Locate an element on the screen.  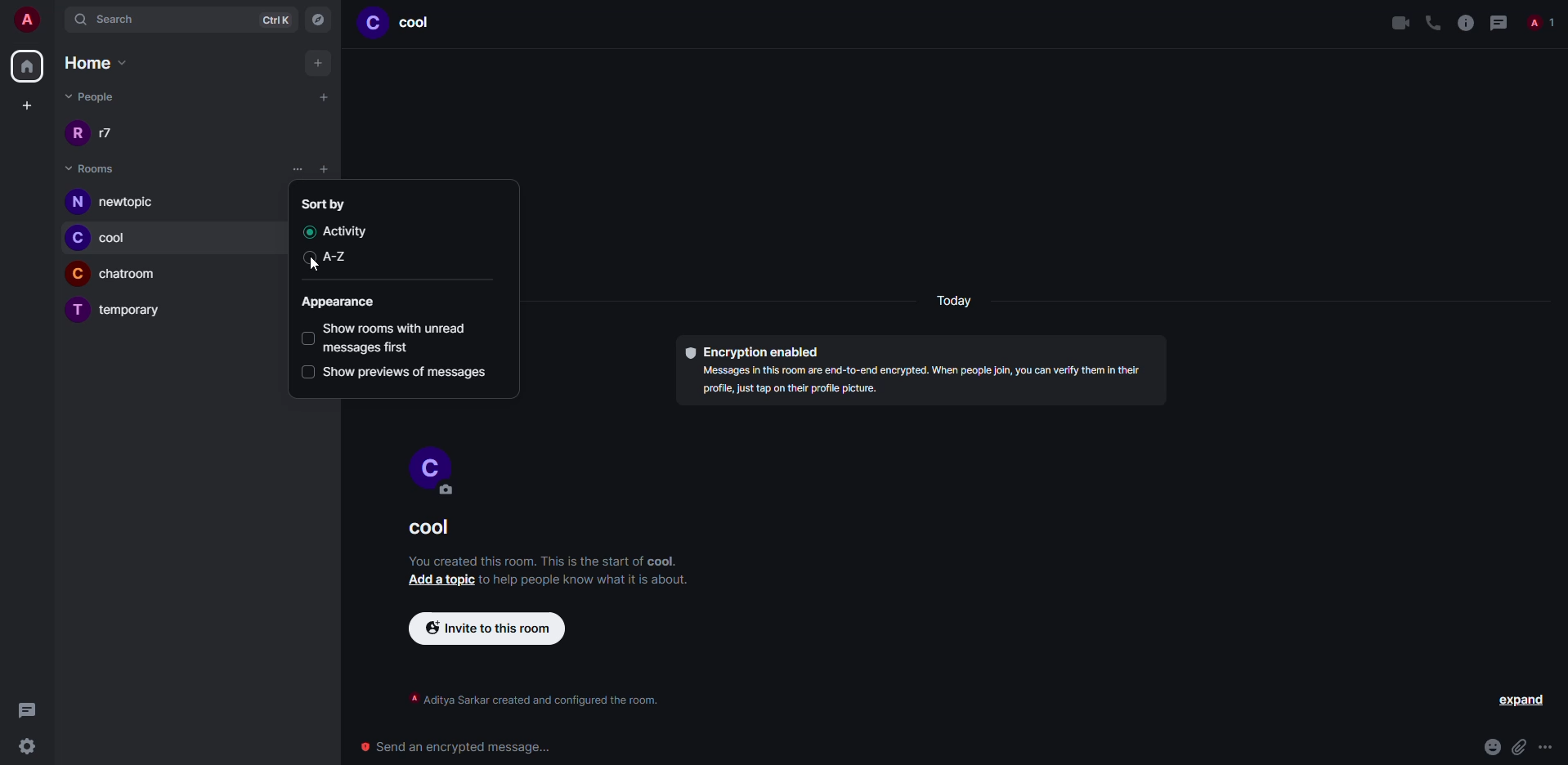
edit is located at coordinates (449, 491).